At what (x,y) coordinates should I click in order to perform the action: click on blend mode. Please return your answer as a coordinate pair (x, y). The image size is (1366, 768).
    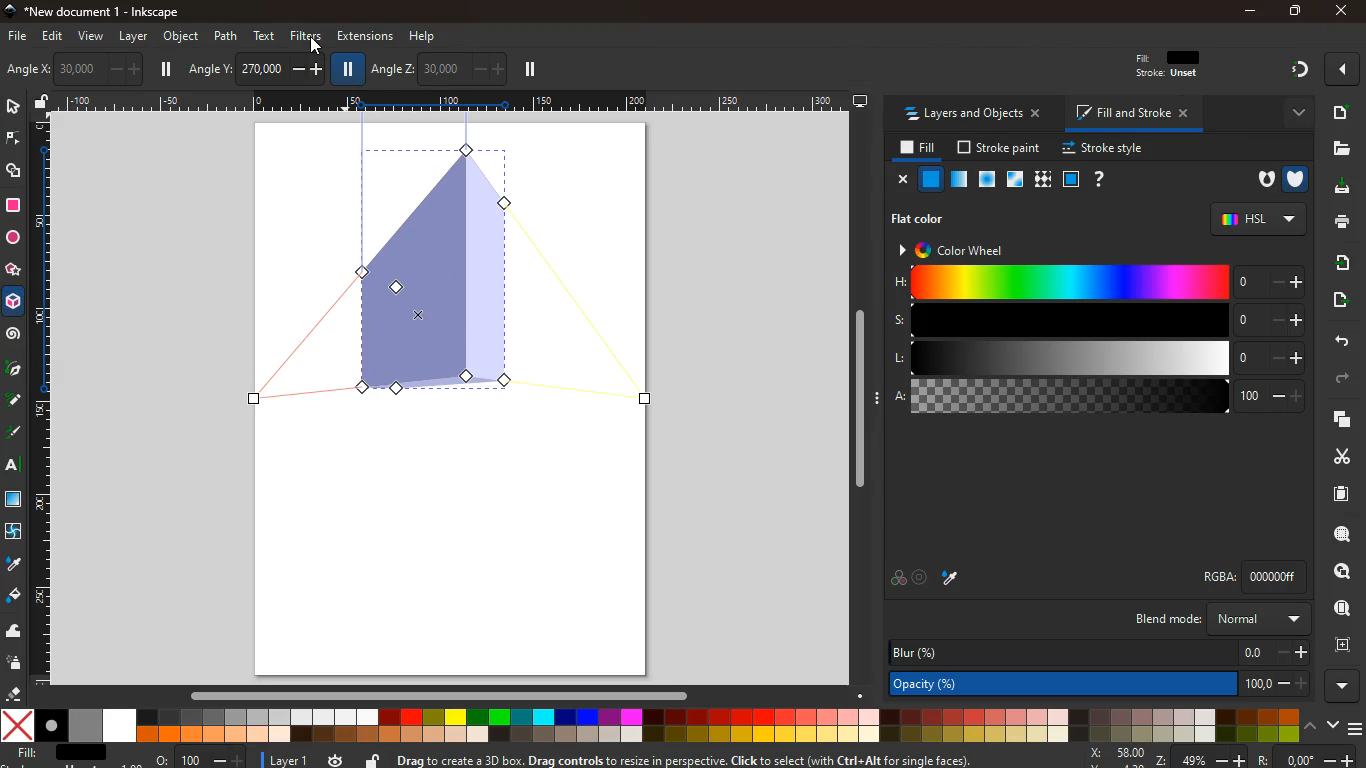
    Looking at the image, I should click on (1218, 620).